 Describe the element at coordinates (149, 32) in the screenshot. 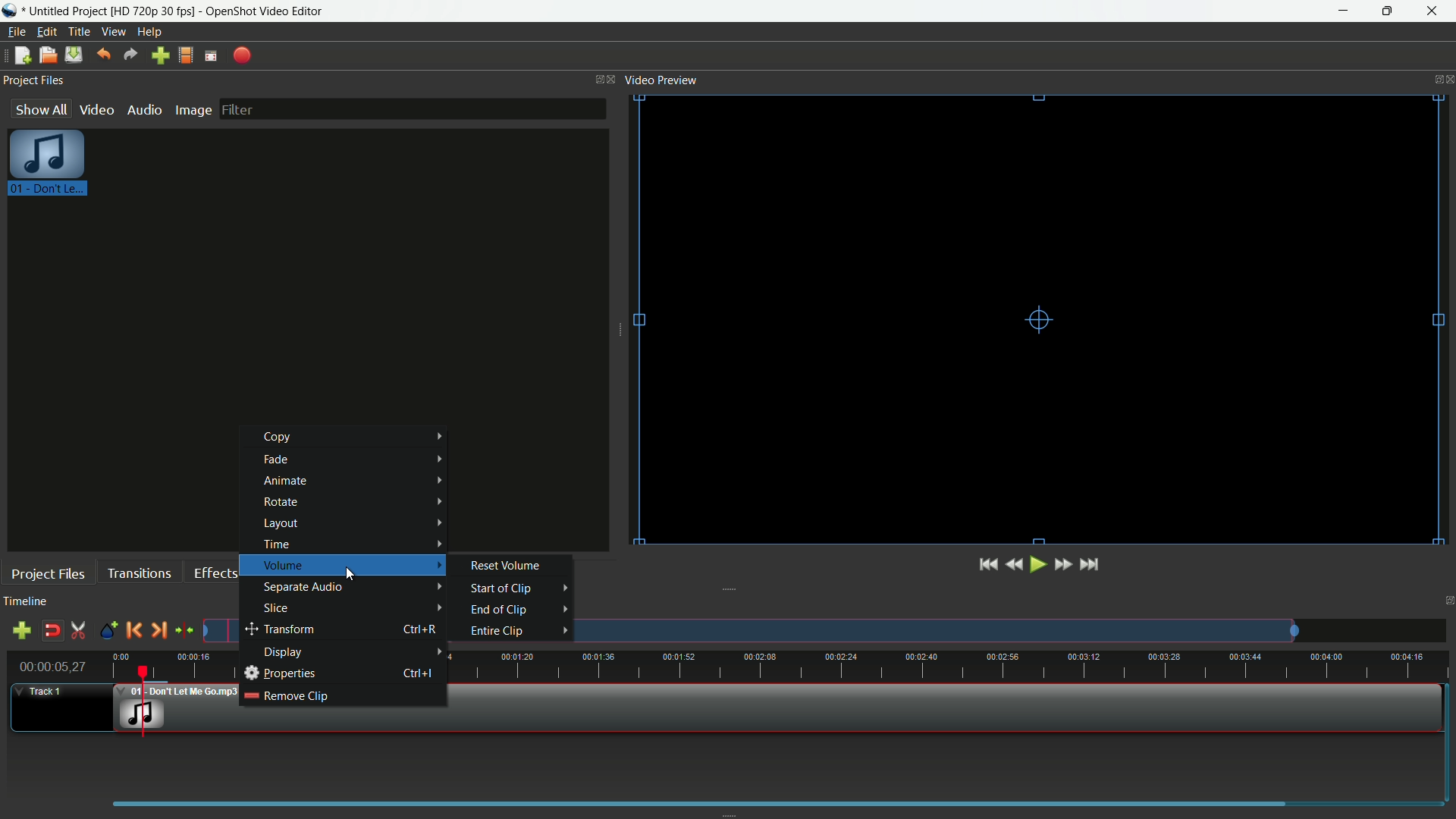

I see `help menu` at that location.